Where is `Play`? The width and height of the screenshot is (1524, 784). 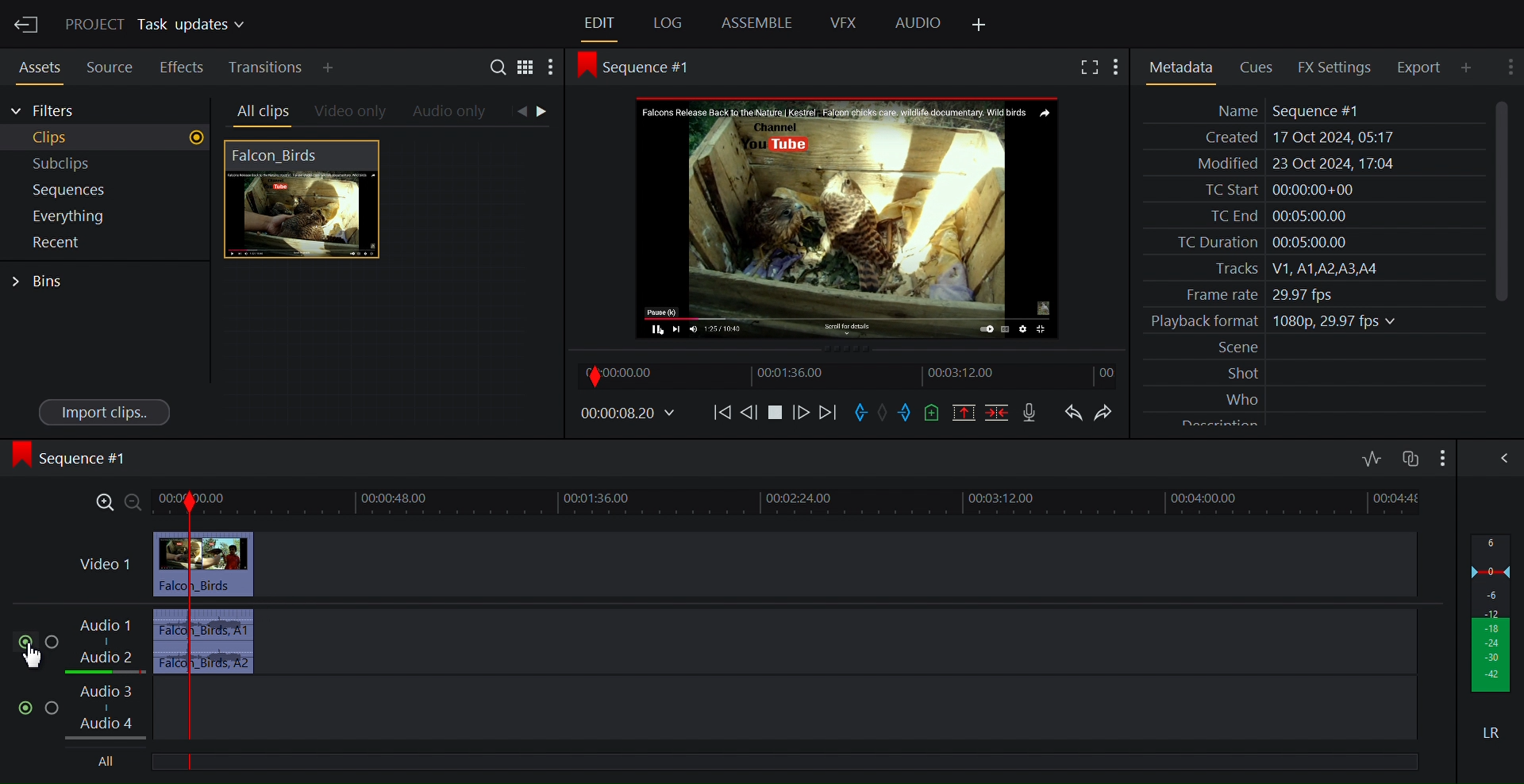
Play is located at coordinates (775, 415).